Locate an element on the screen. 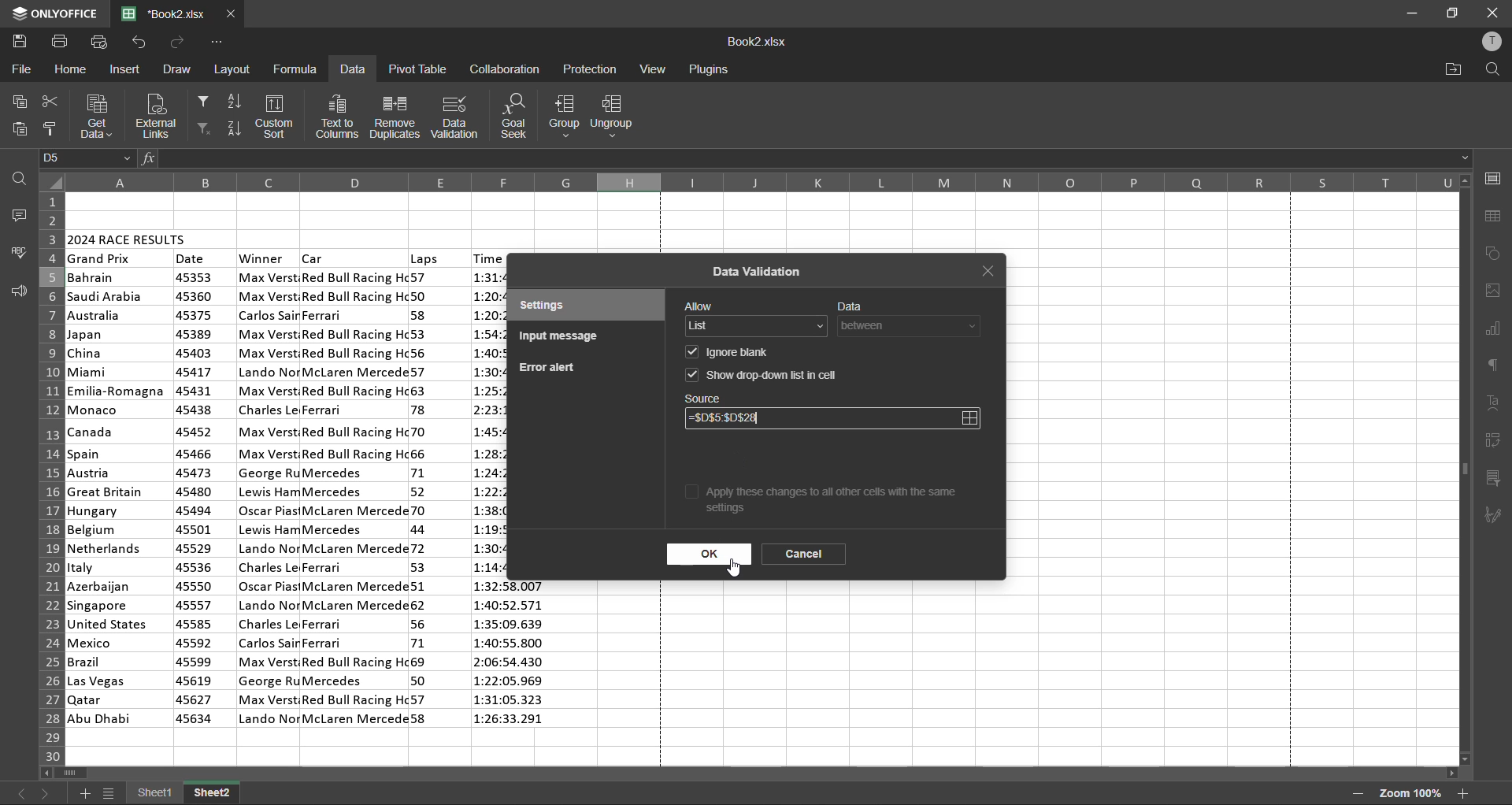  sheet names is located at coordinates (184, 795).